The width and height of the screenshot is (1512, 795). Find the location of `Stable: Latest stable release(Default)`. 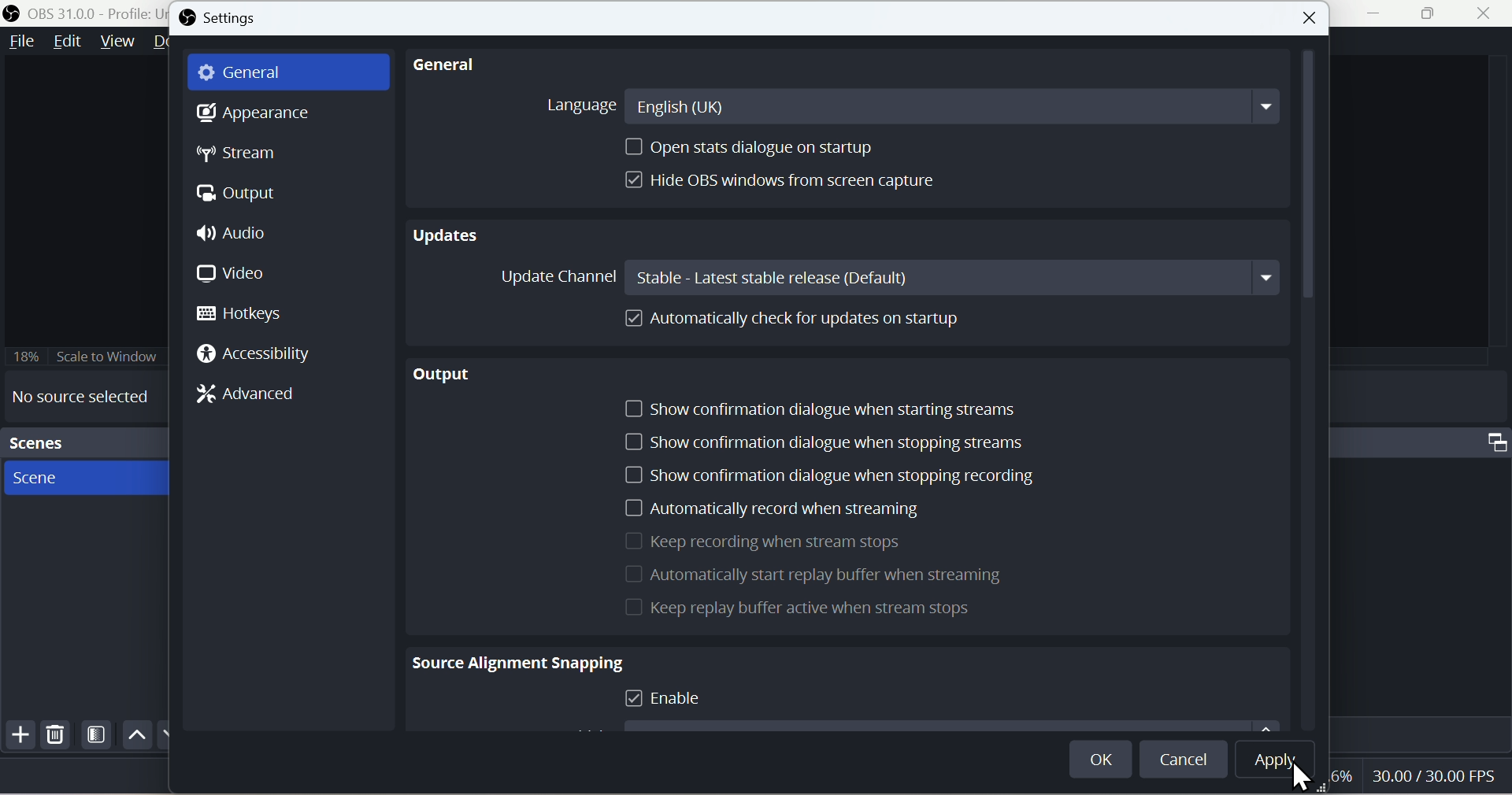

Stable: Latest stable release(Default) is located at coordinates (956, 276).